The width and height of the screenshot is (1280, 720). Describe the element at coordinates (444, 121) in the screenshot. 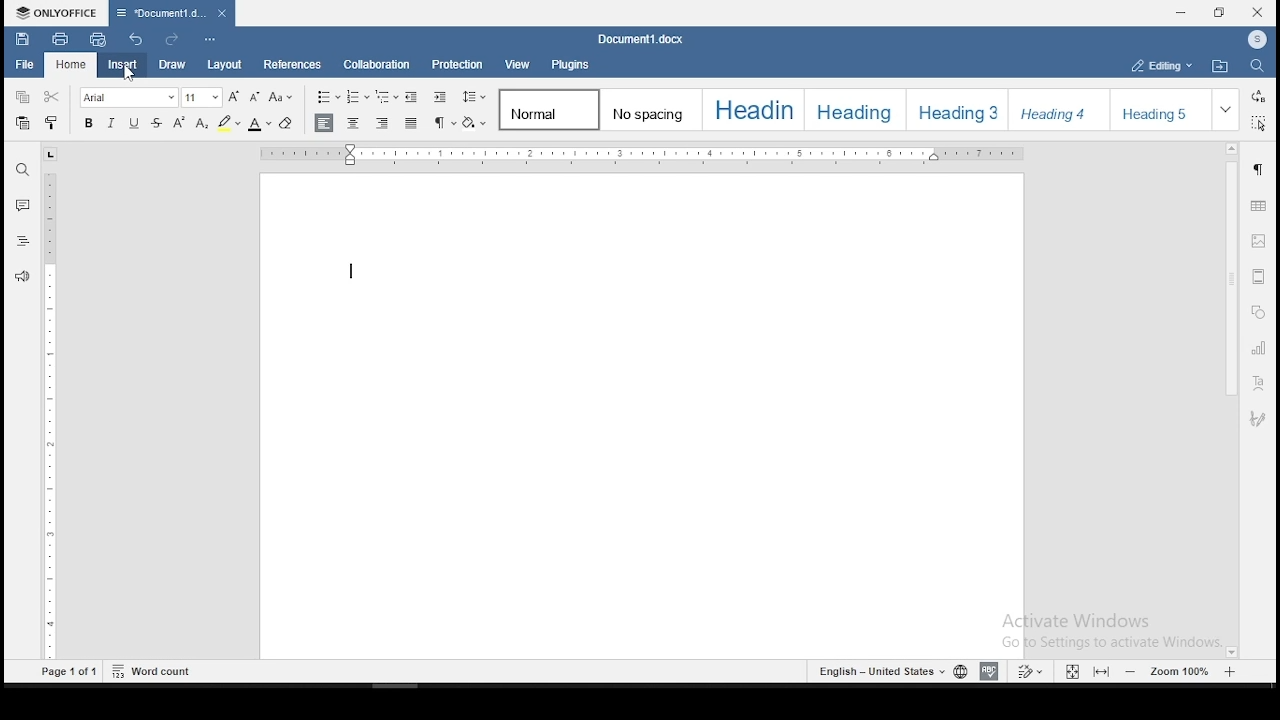

I see `non printing characters` at that location.